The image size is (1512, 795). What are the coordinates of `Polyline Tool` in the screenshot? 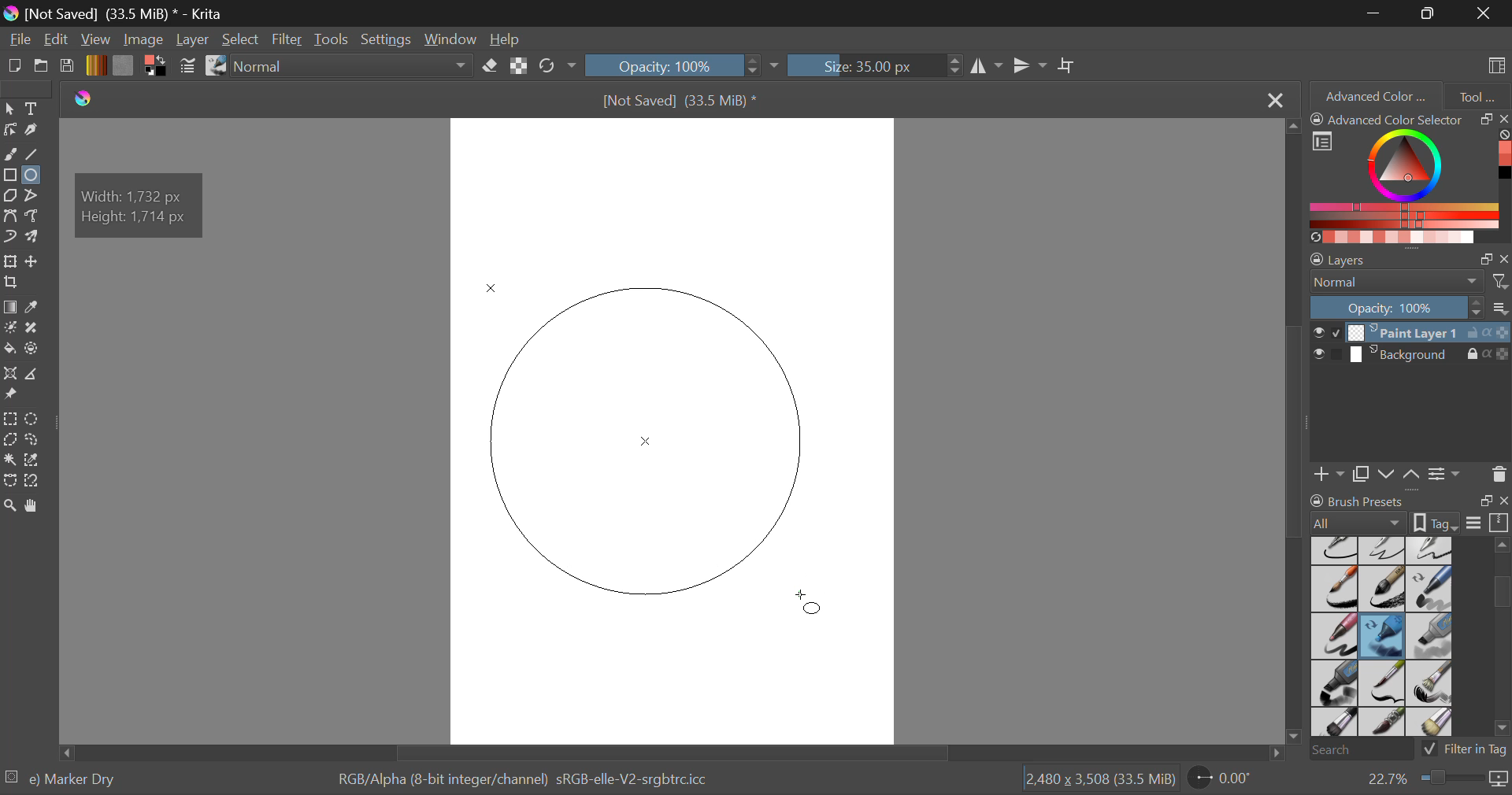 It's located at (34, 195).